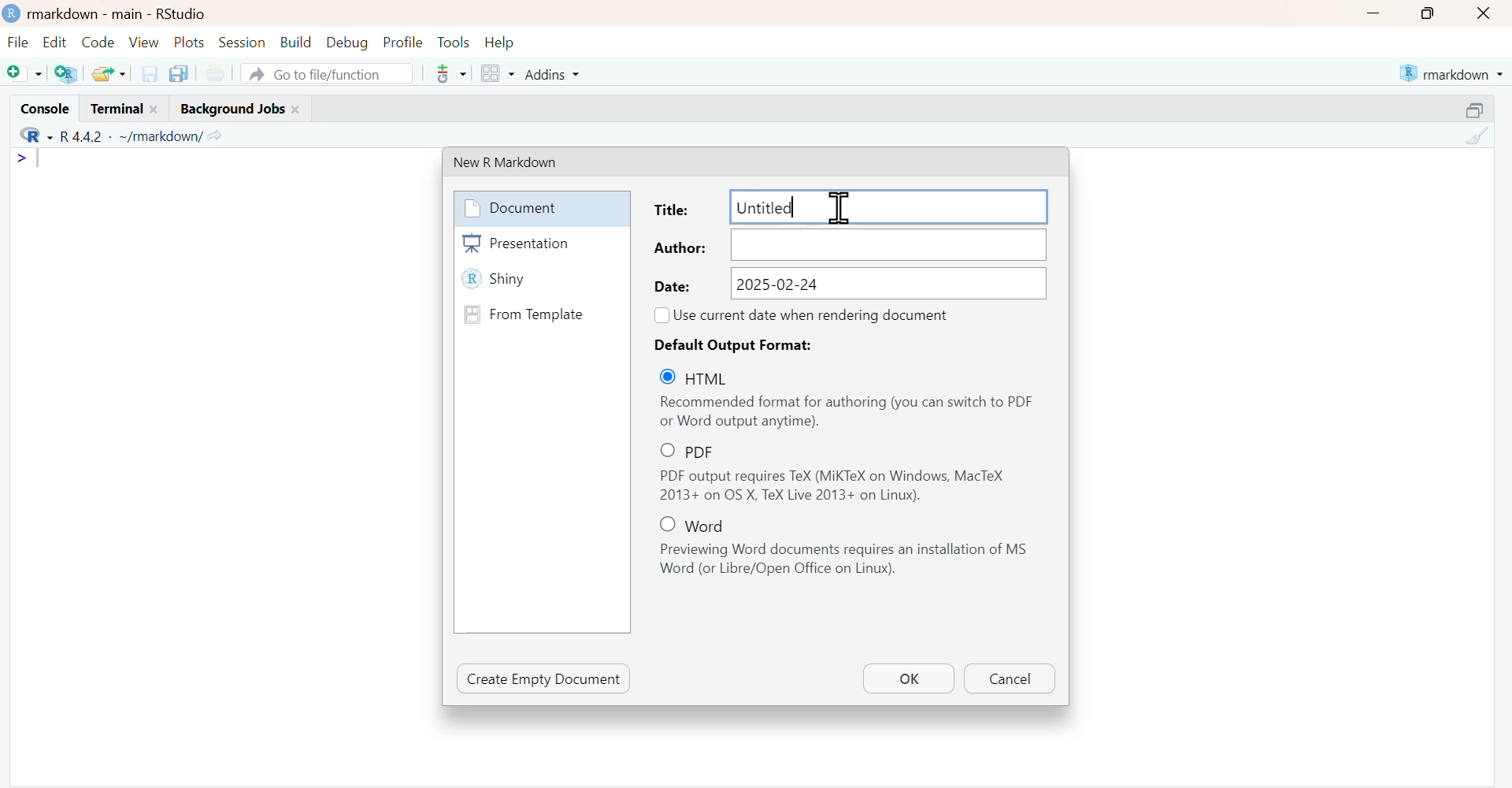  What do you see at coordinates (128, 136) in the screenshot?
I see `R language version - R 4.4.1` at bounding box center [128, 136].